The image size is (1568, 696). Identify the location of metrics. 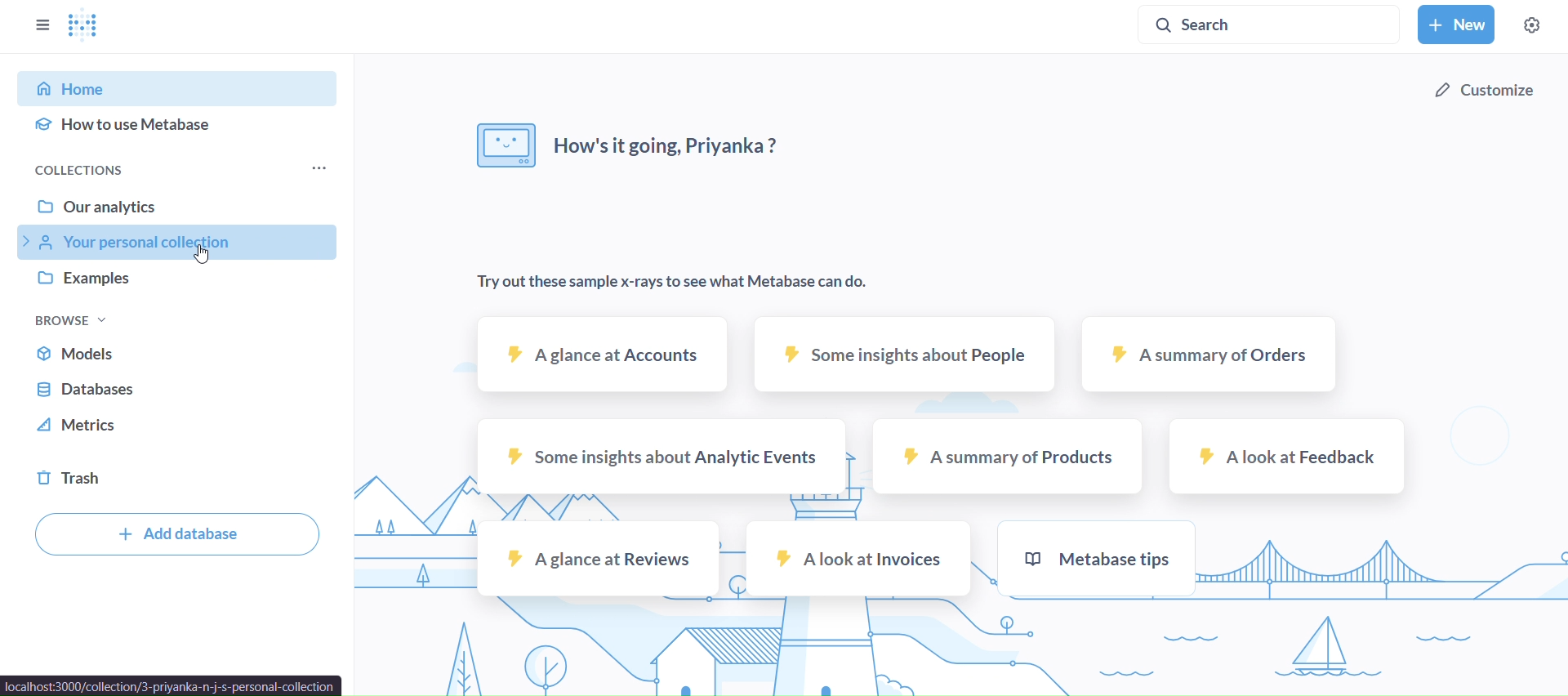
(183, 426).